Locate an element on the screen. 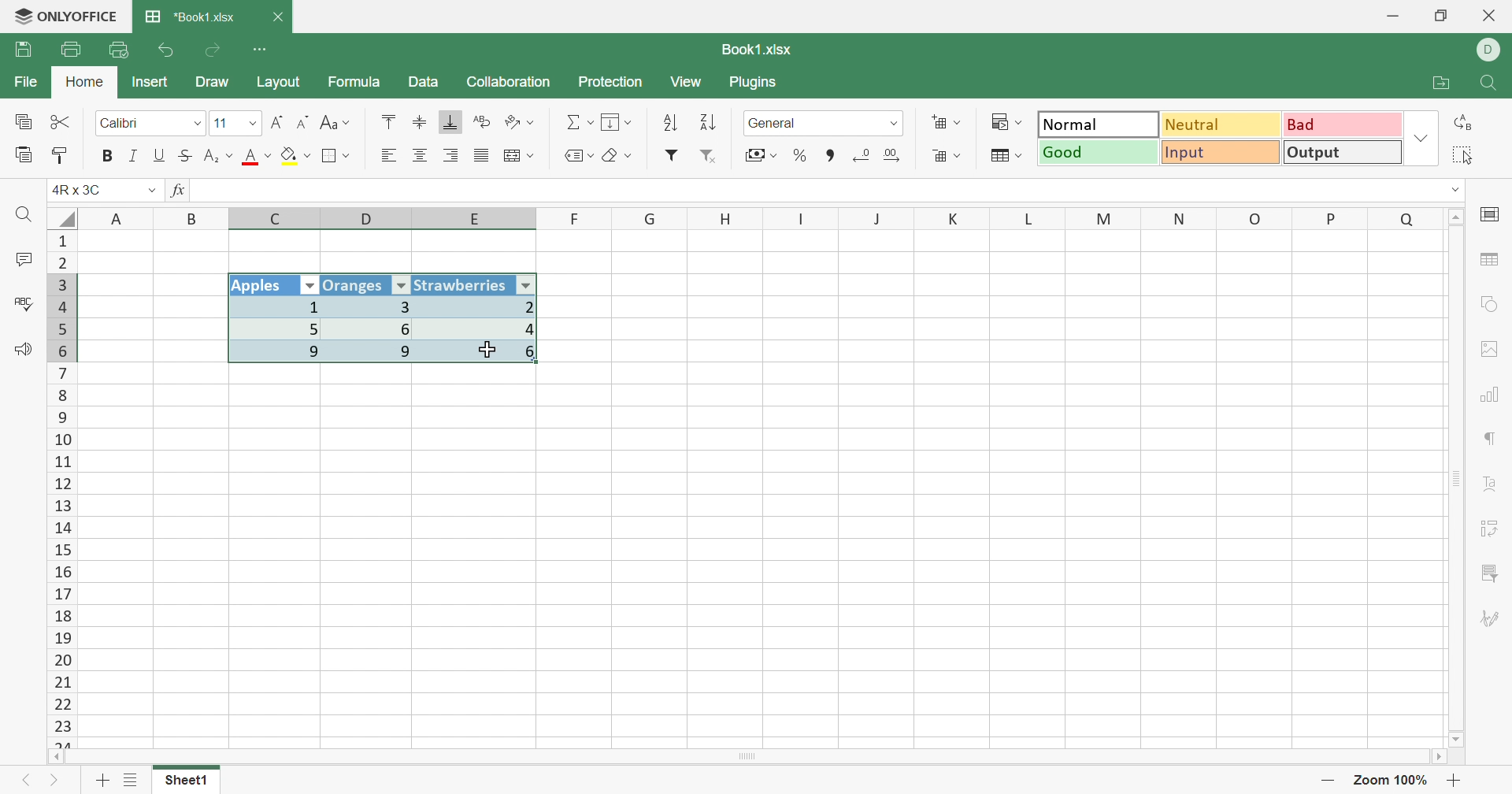 This screenshot has width=1512, height=794. Find is located at coordinates (1492, 84).